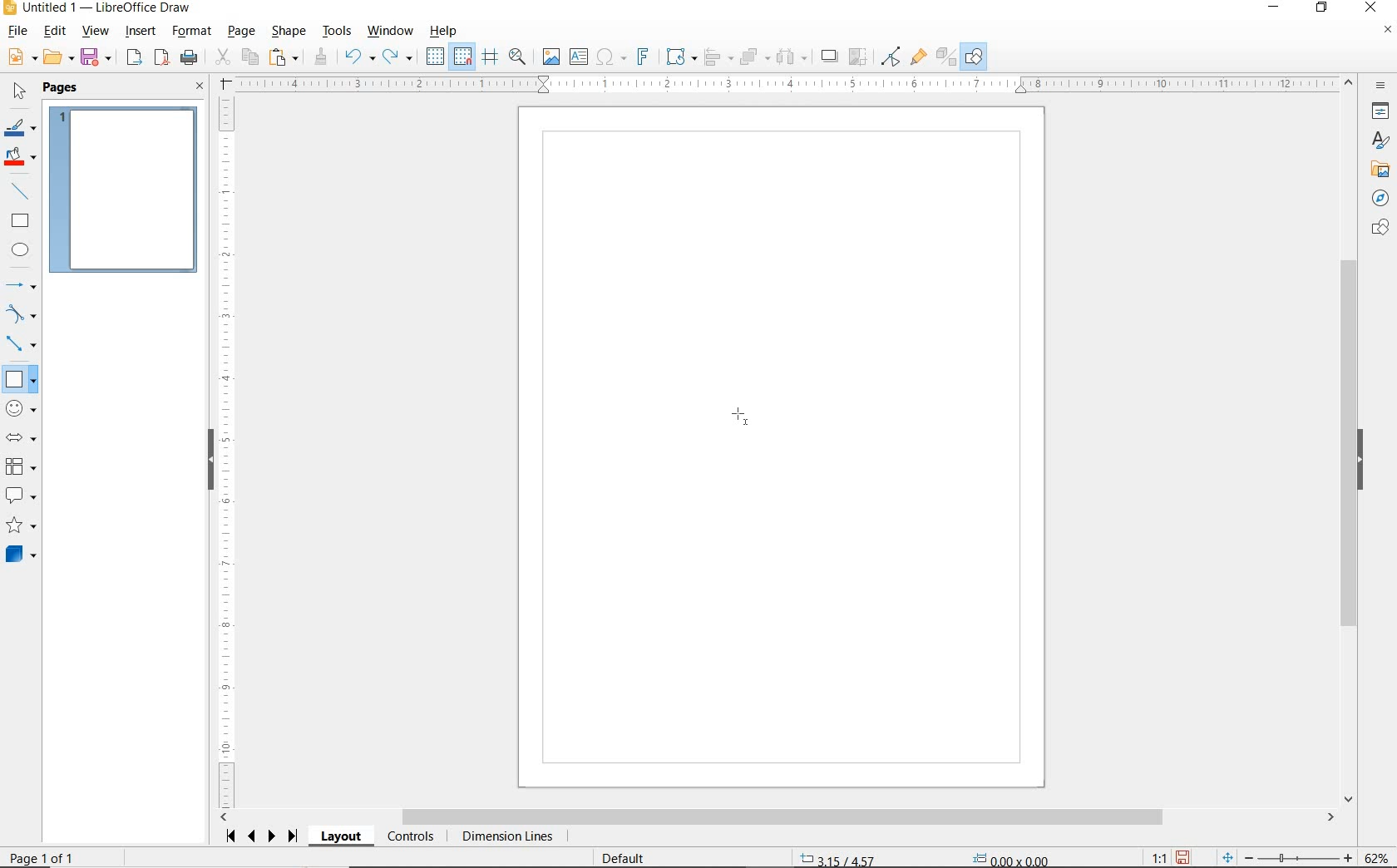  What do you see at coordinates (42, 860) in the screenshot?
I see `PAGE 1 OF 1` at bounding box center [42, 860].